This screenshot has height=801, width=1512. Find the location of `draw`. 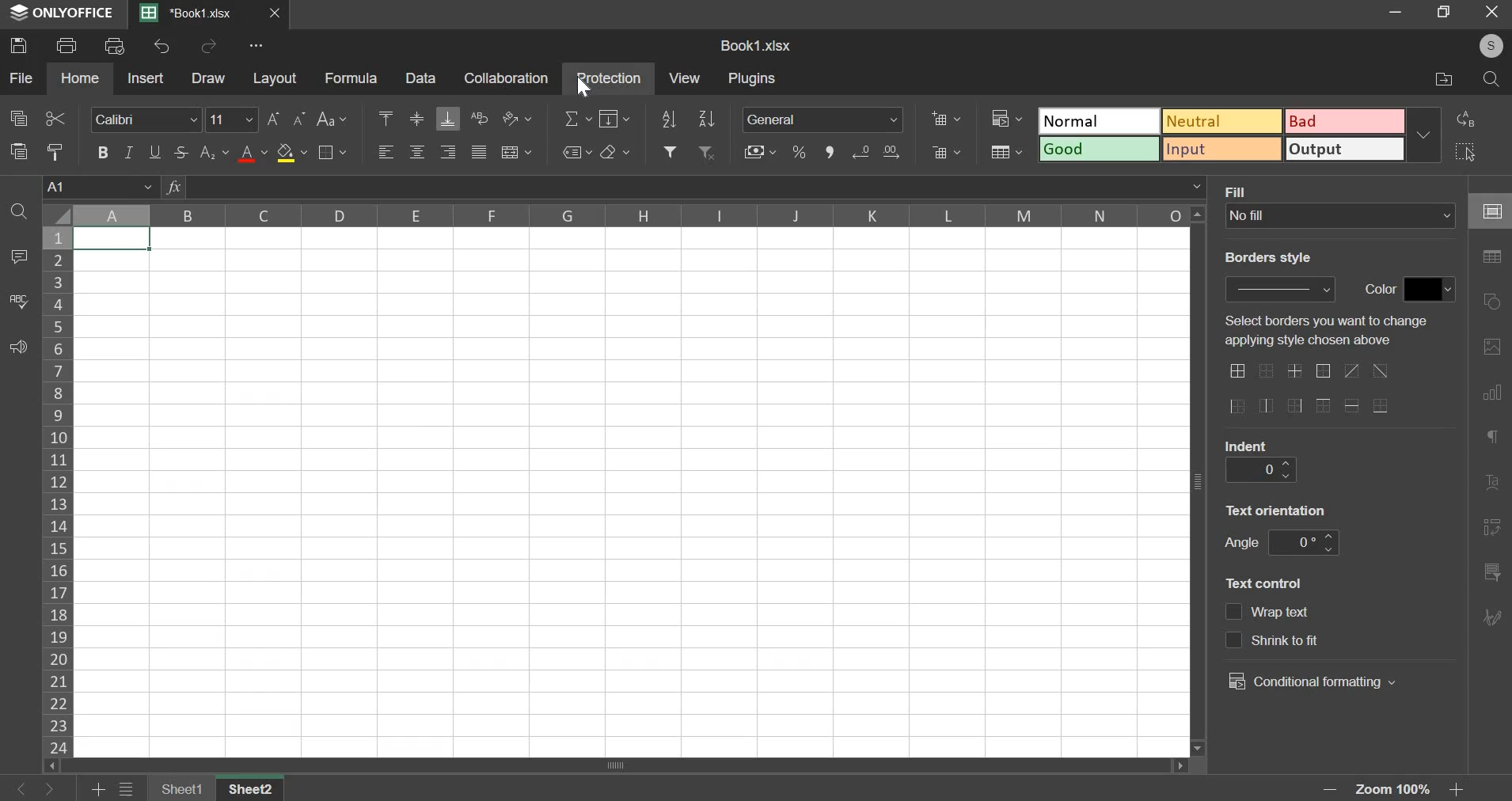

draw is located at coordinates (208, 78).